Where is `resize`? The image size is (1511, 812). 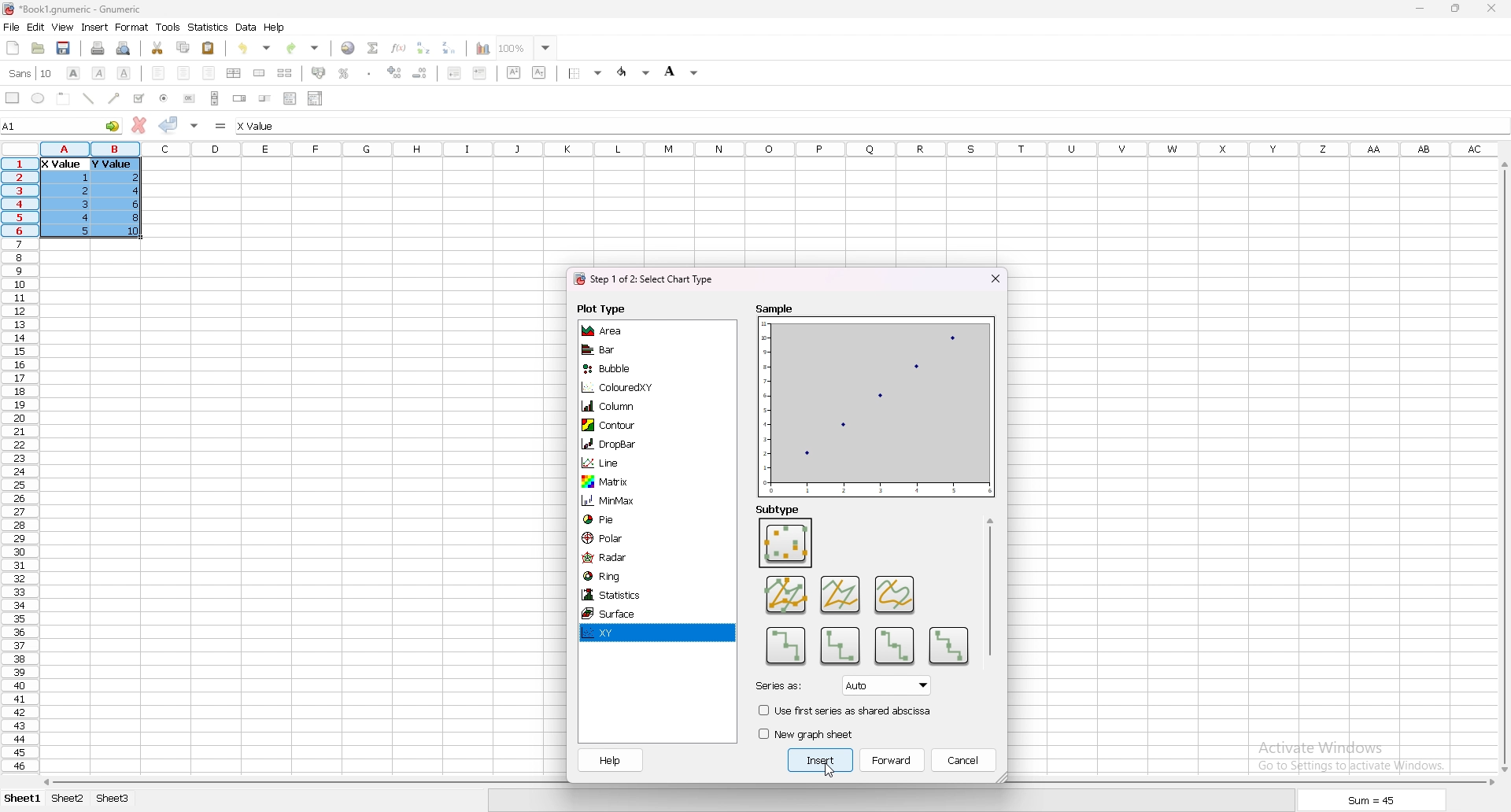
resize is located at coordinates (1457, 9).